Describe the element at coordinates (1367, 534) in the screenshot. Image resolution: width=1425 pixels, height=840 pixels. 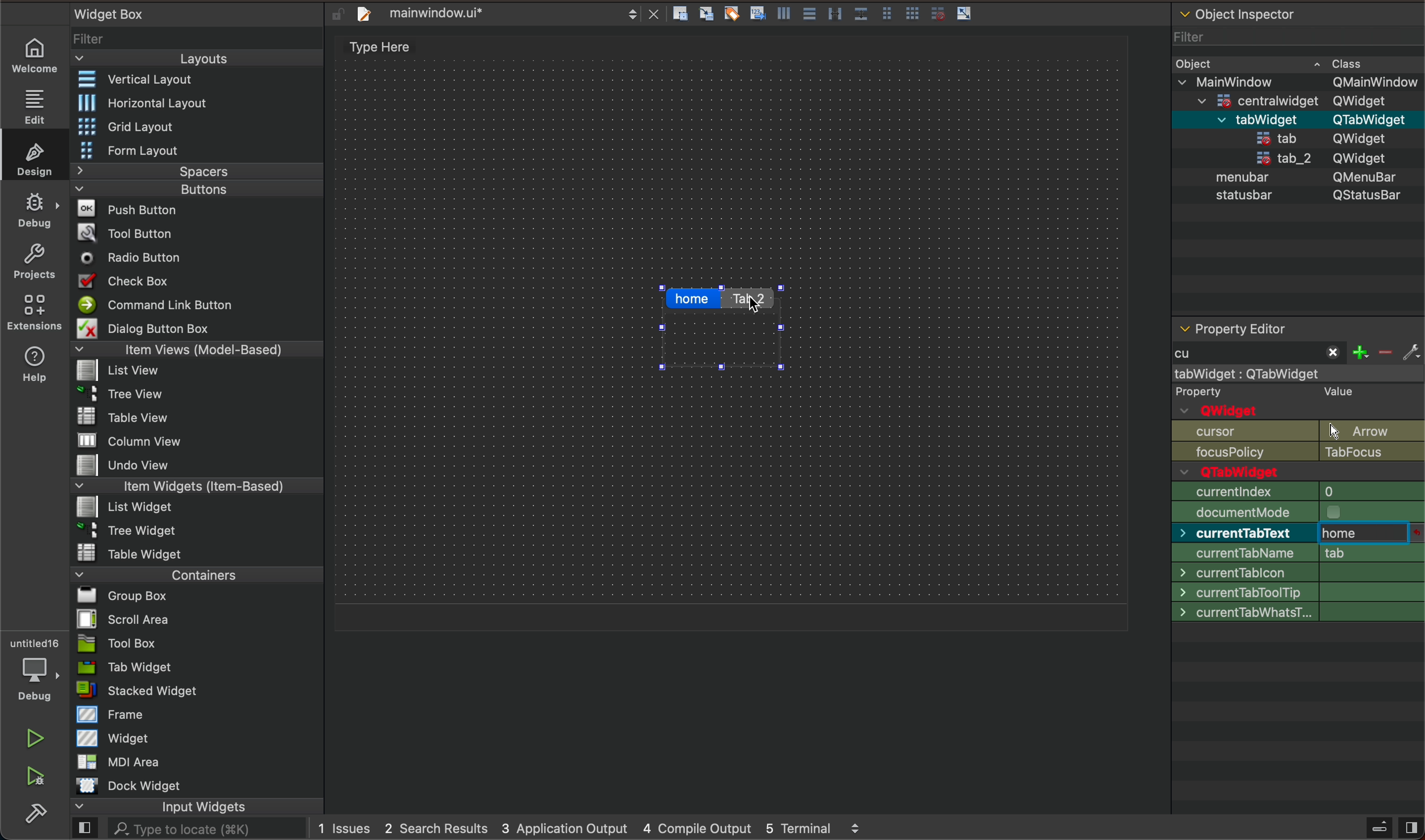
I see `after type` at that location.